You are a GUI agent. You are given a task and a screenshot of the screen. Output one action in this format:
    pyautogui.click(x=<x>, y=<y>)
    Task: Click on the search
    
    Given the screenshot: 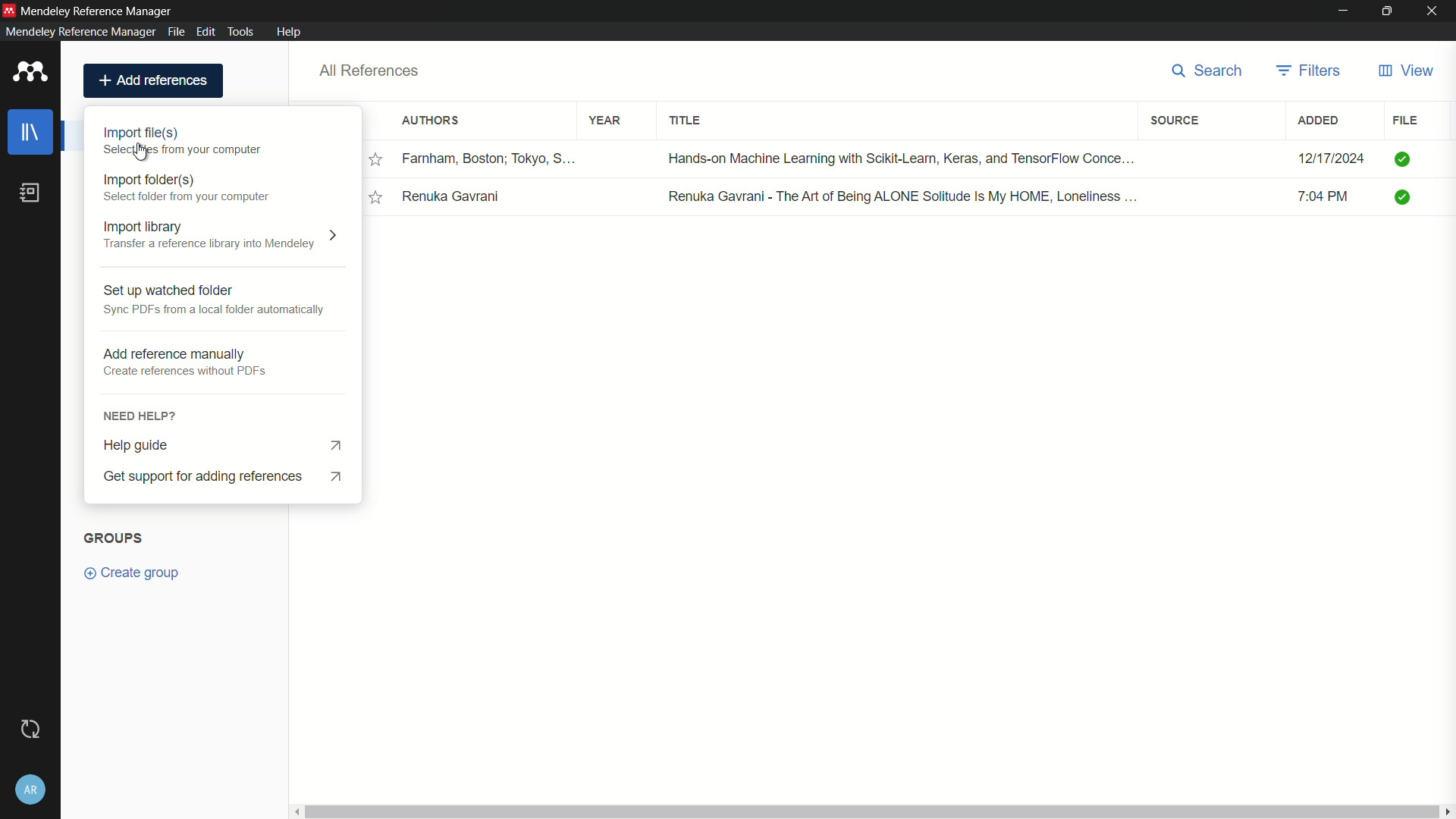 What is the action you would take?
    pyautogui.click(x=1212, y=72)
    